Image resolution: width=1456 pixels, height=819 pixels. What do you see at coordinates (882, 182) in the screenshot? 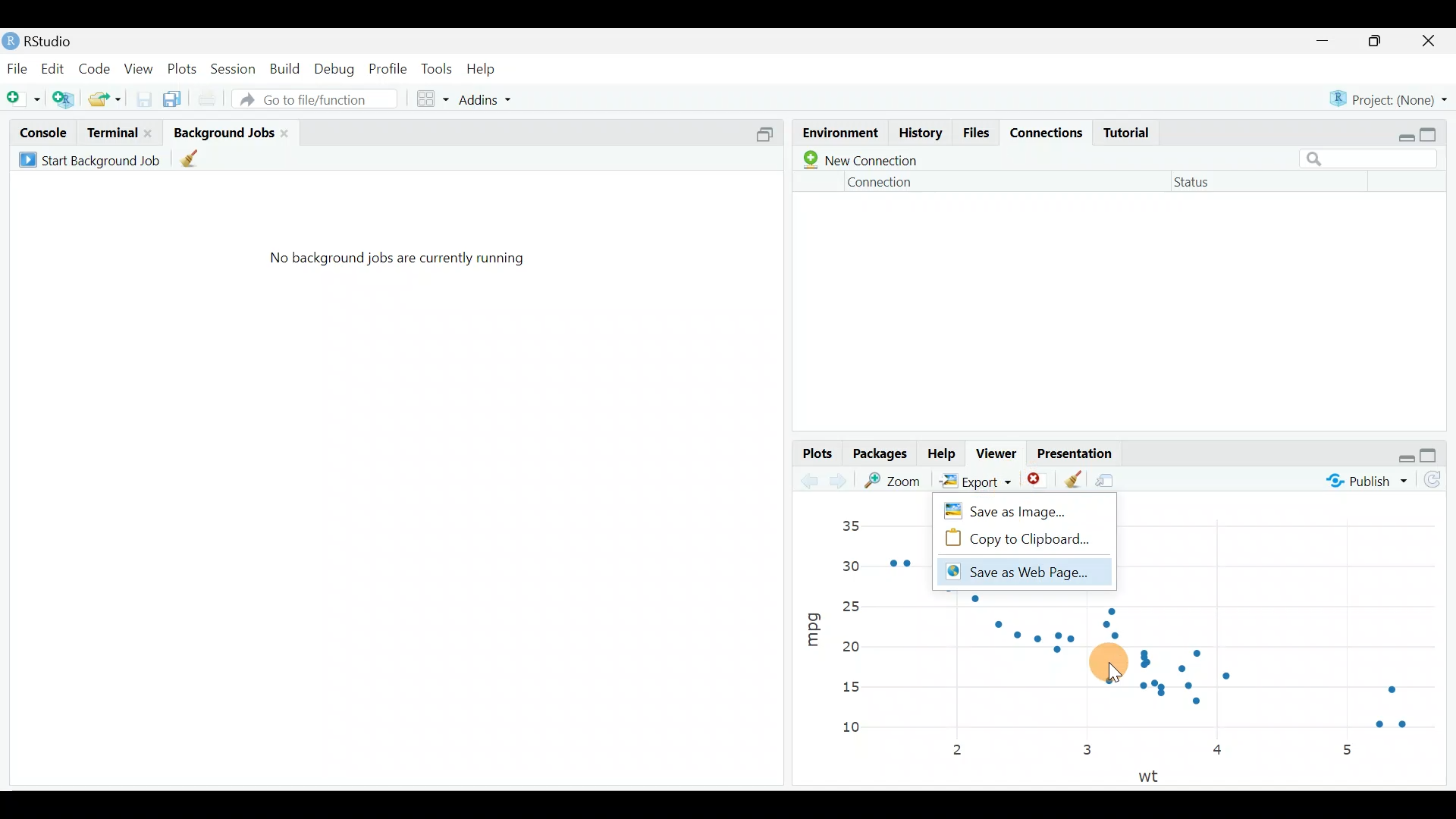
I see `Connection` at bounding box center [882, 182].